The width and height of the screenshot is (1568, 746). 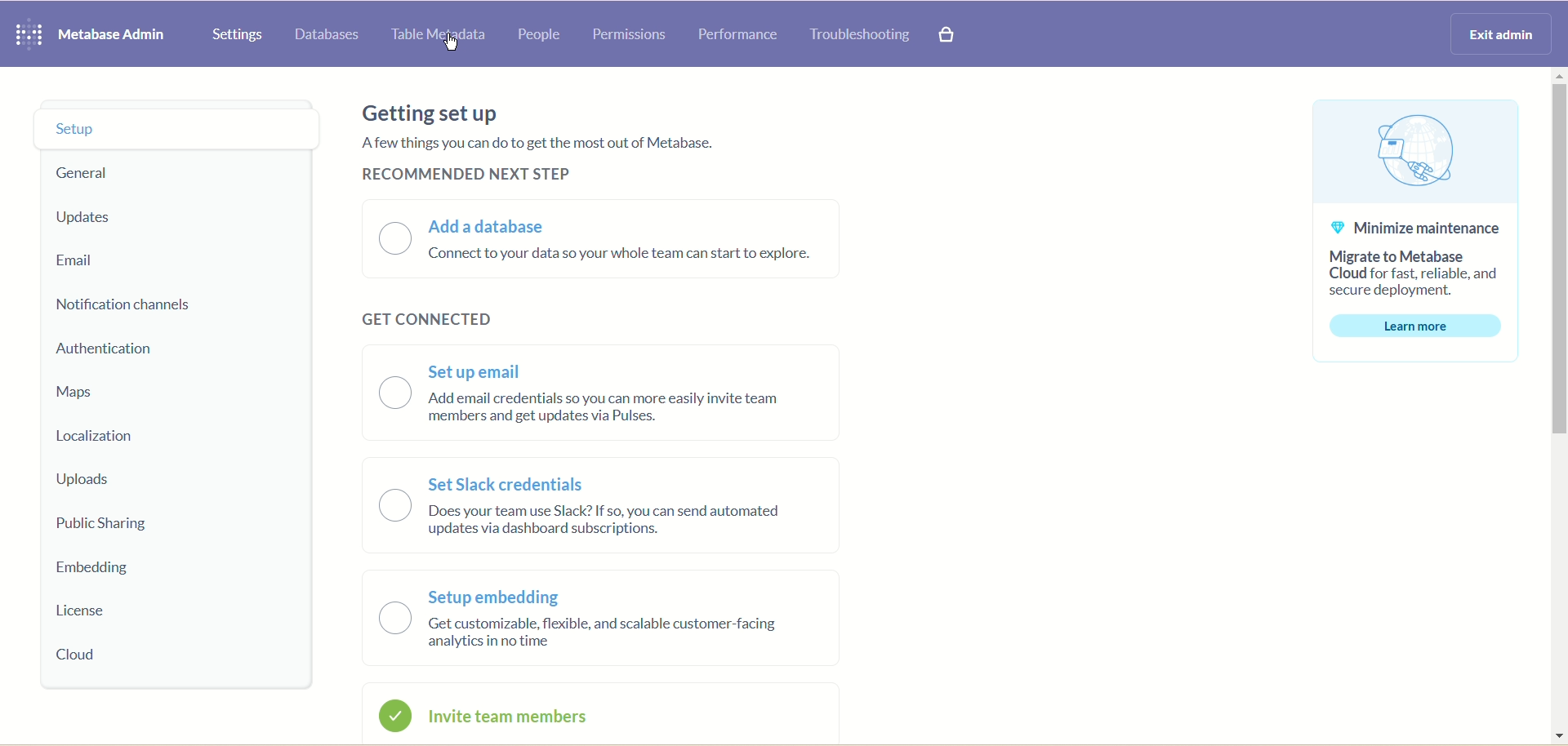 What do you see at coordinates (85, 655) in the screenshot?
I see `Cloud` at bounding box center [85, 655].